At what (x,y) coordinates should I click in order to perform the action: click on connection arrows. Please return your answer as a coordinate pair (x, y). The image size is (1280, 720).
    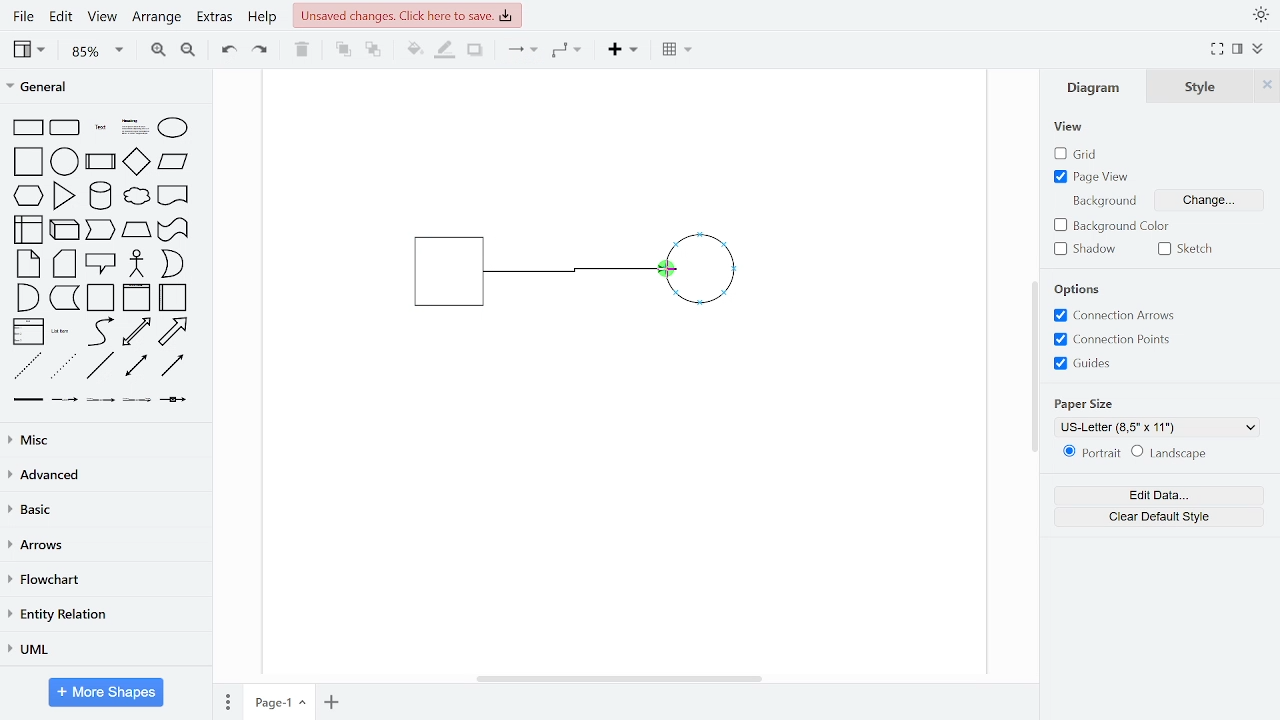
    Looking at the image, I should click on (1111, 316).